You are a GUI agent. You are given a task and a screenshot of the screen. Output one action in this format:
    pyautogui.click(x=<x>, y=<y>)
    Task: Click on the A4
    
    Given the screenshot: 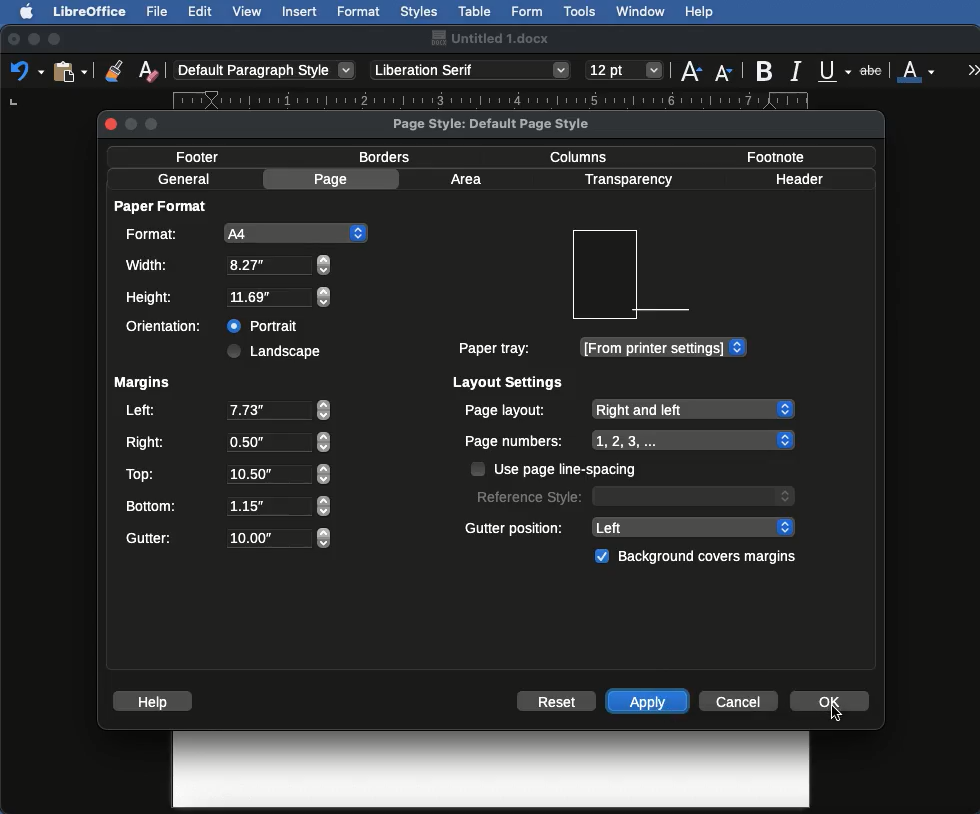 What is the action you would take?
    pyautogui.click(x=243, y=233)
    